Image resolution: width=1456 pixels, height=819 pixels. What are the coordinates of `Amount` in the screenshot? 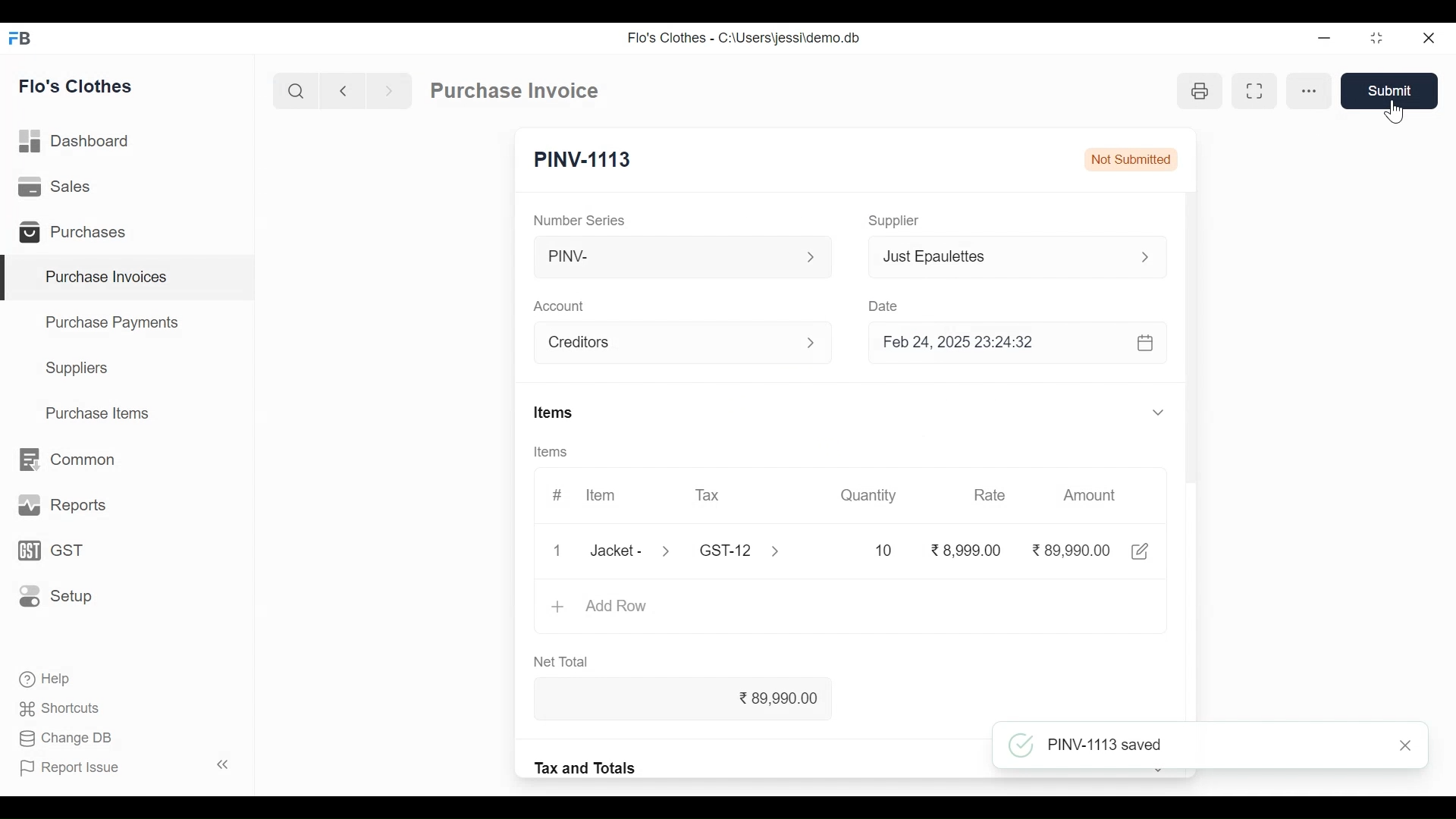 It's located at (1090, 495).